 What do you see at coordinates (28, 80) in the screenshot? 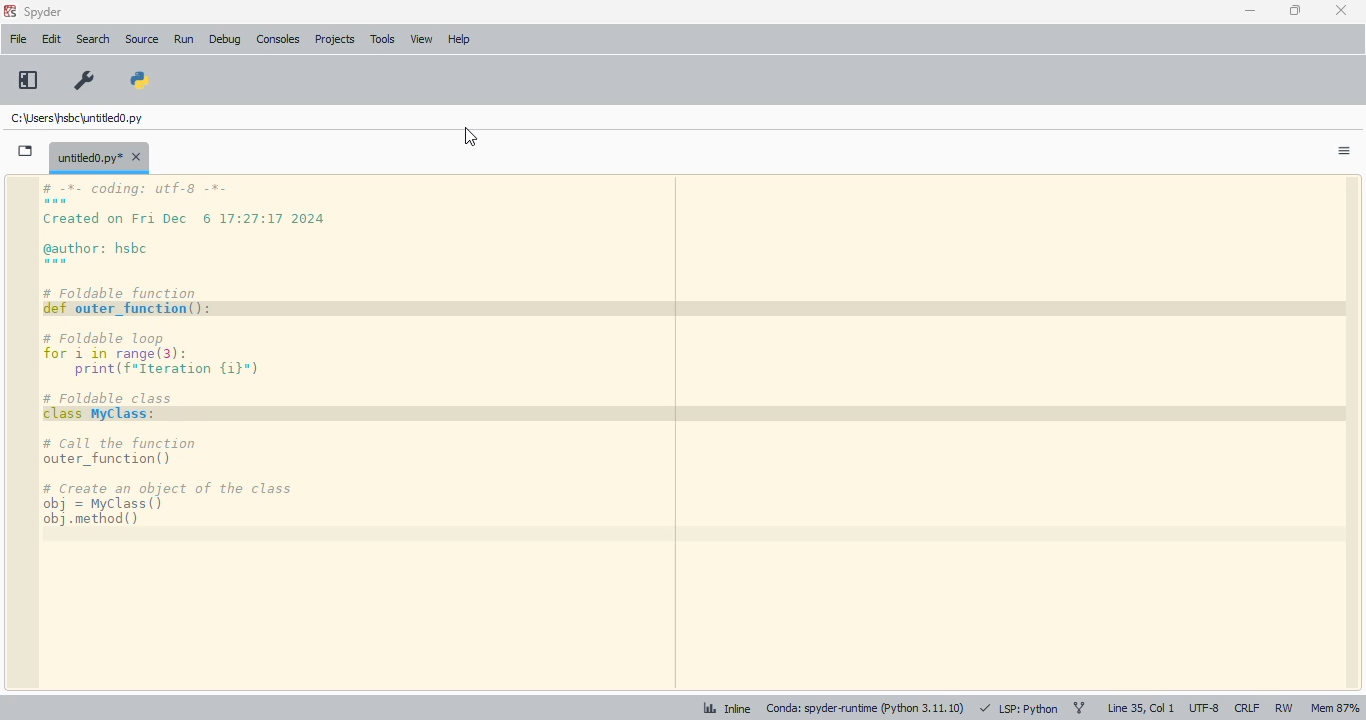
I see `maximize current pane` at bounding box center [28, 80].